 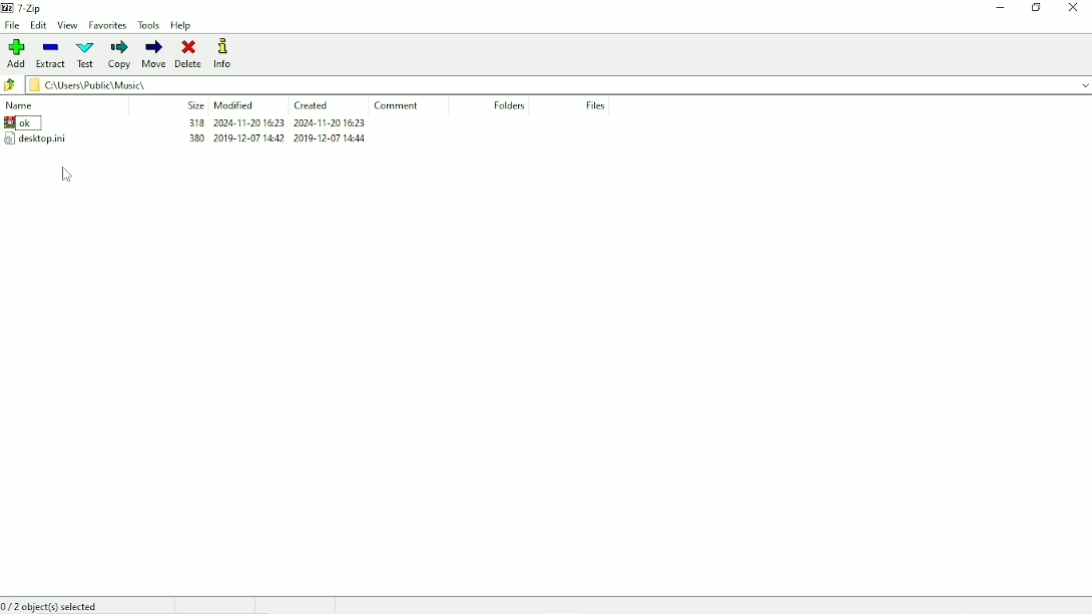 I want to click on Created, so click(x=312, y=106).